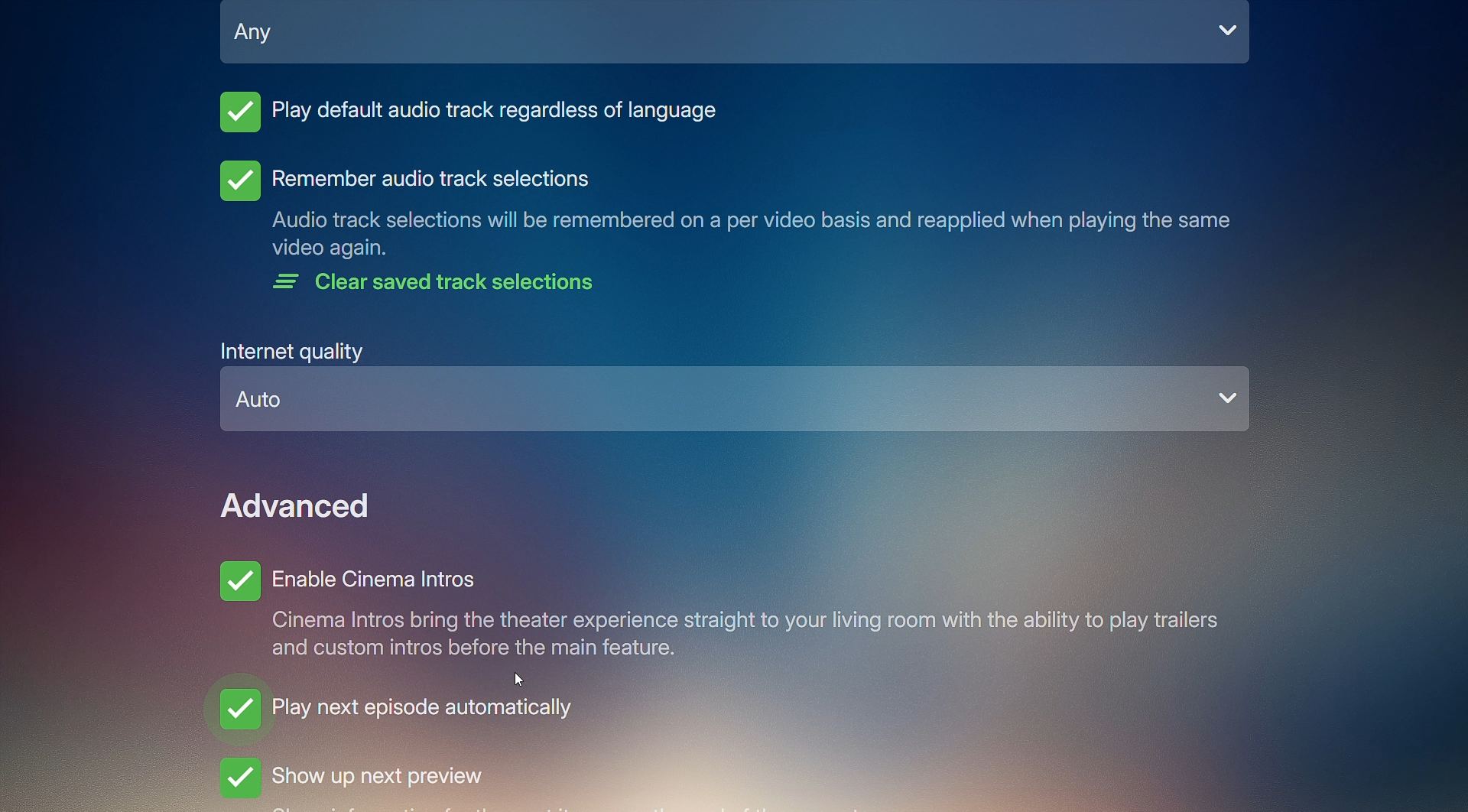  Describe the element at coordinates (403, 180) in the screenshot. I see `Remember audio track selections` at that location.